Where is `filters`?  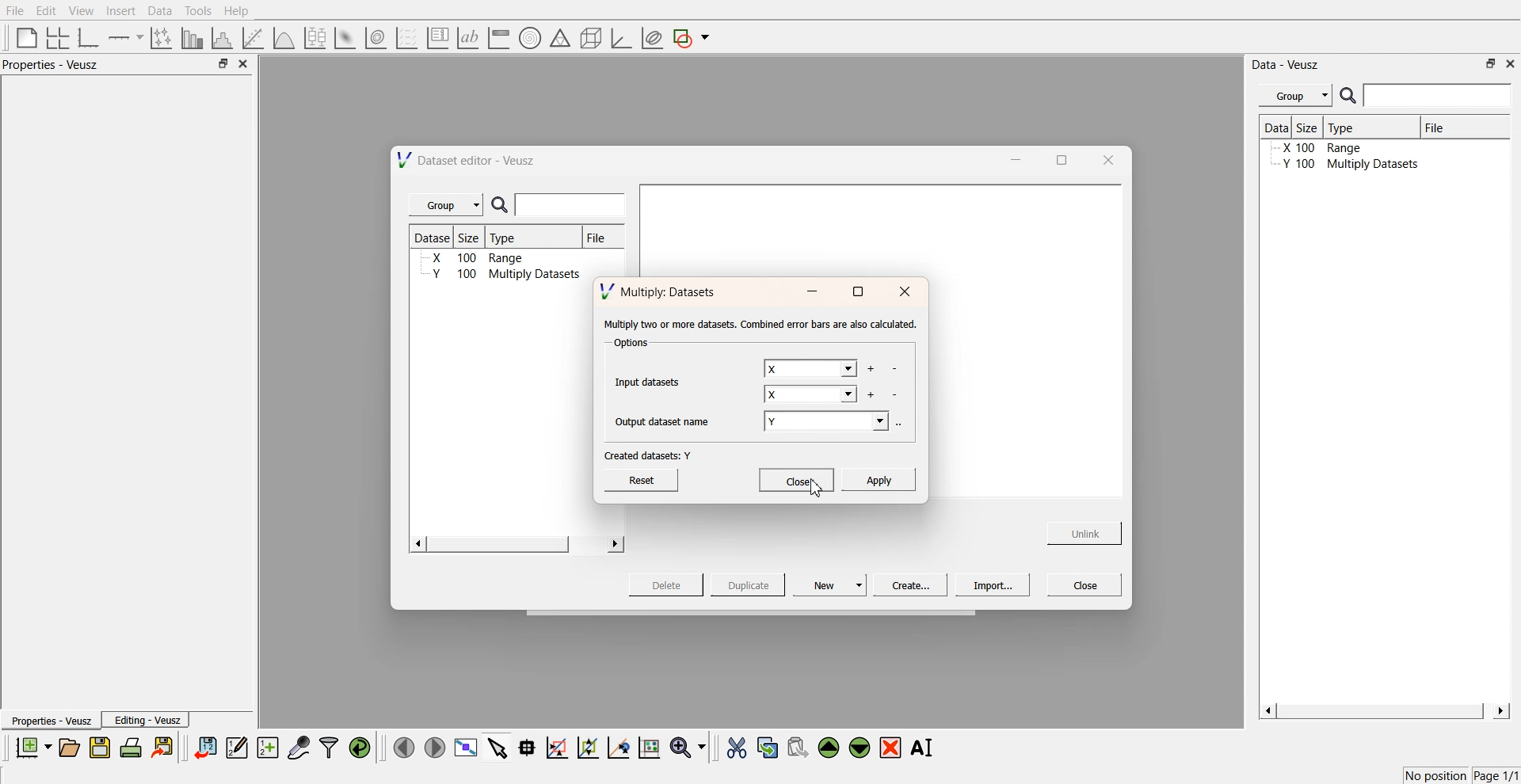
filters is located at coordinates (327, 748).